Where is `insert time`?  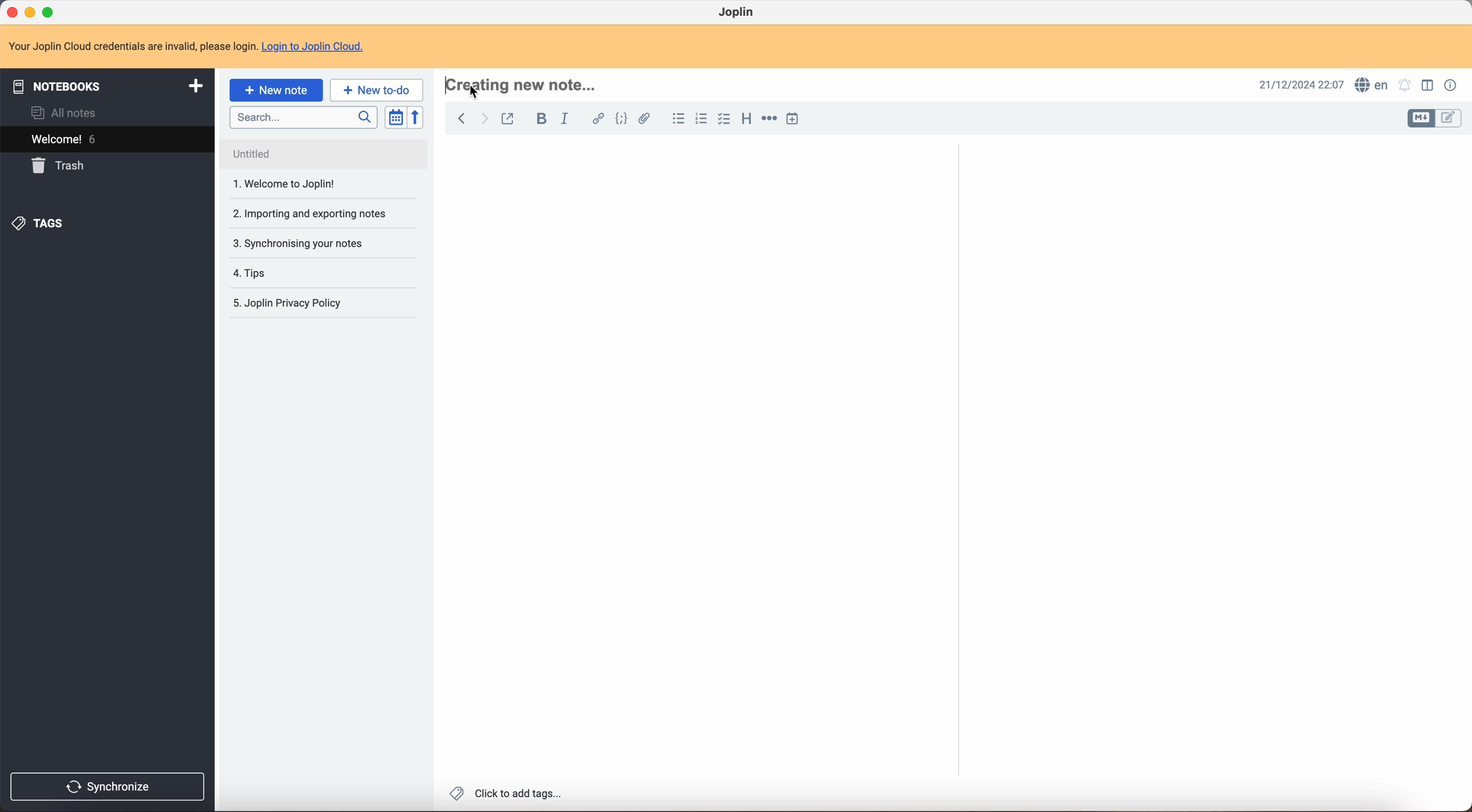
insert time is located at coordinates (792, 118).